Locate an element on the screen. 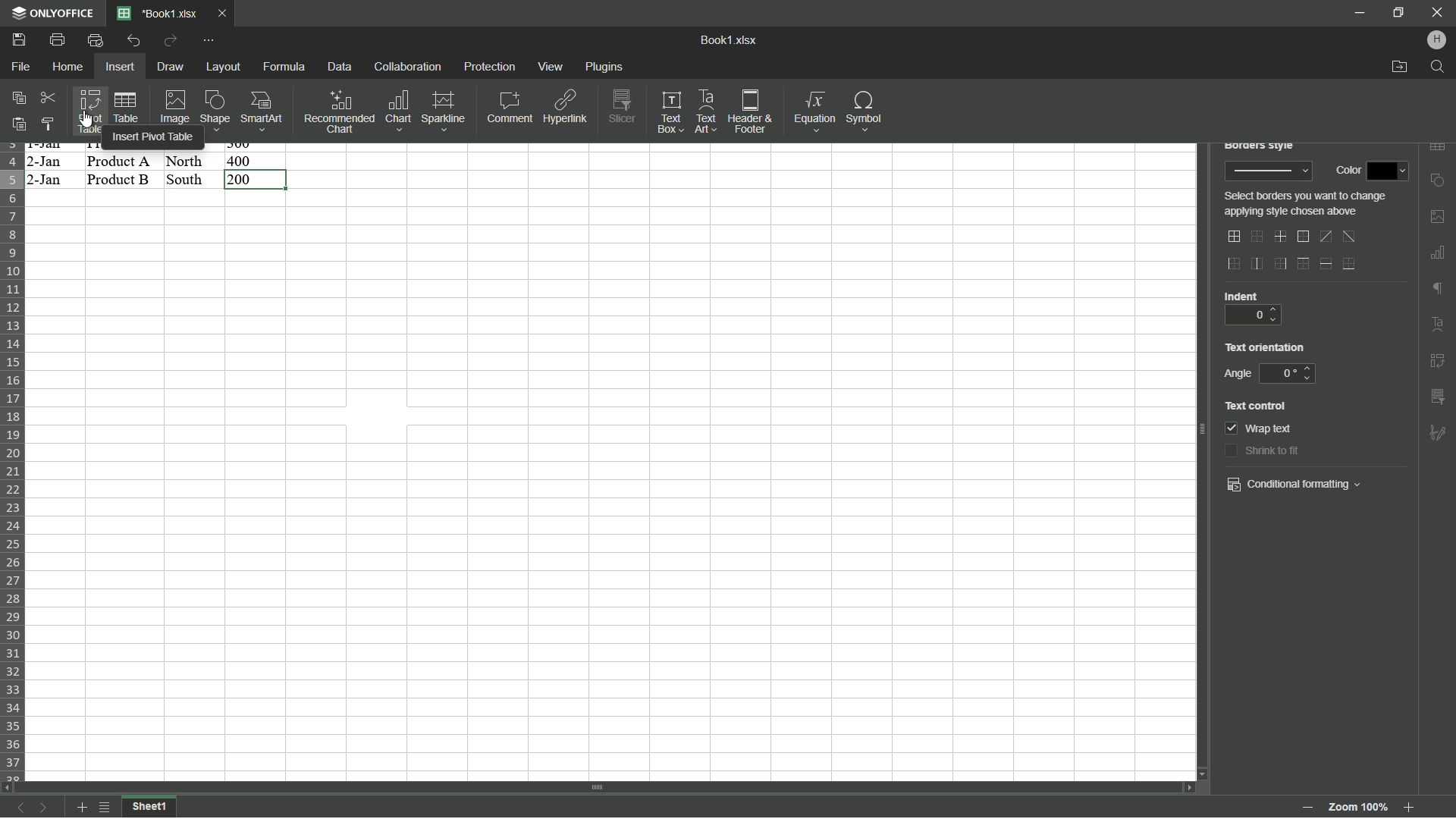 The width and height of the screenshot is (1456, 819). inner vertical line is located at coordinates (1256, 263).